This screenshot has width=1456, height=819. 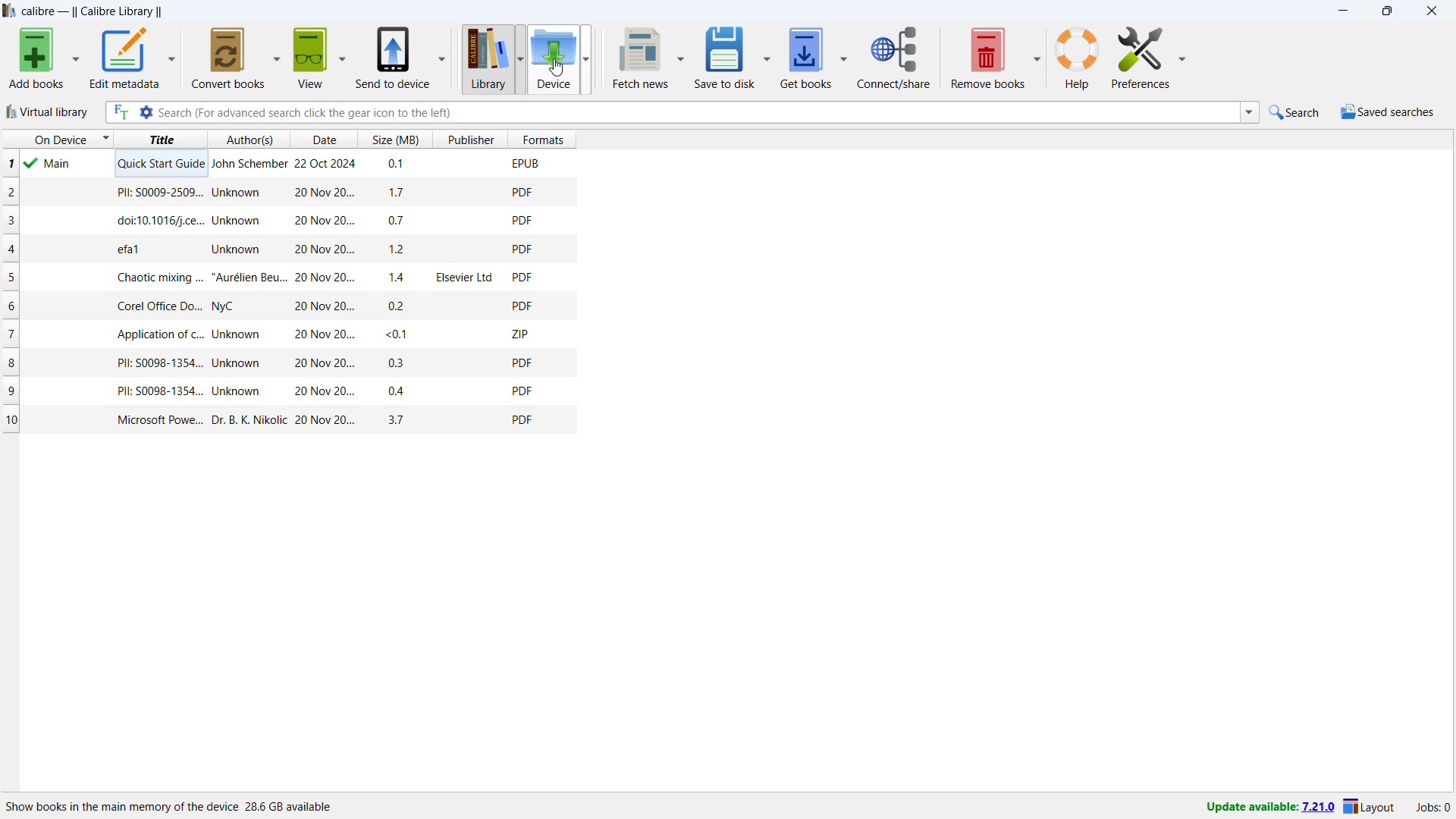 What do you see at coordinates (553, 60) in the screenshot?
I see `device` at bounding box center [553, 60].